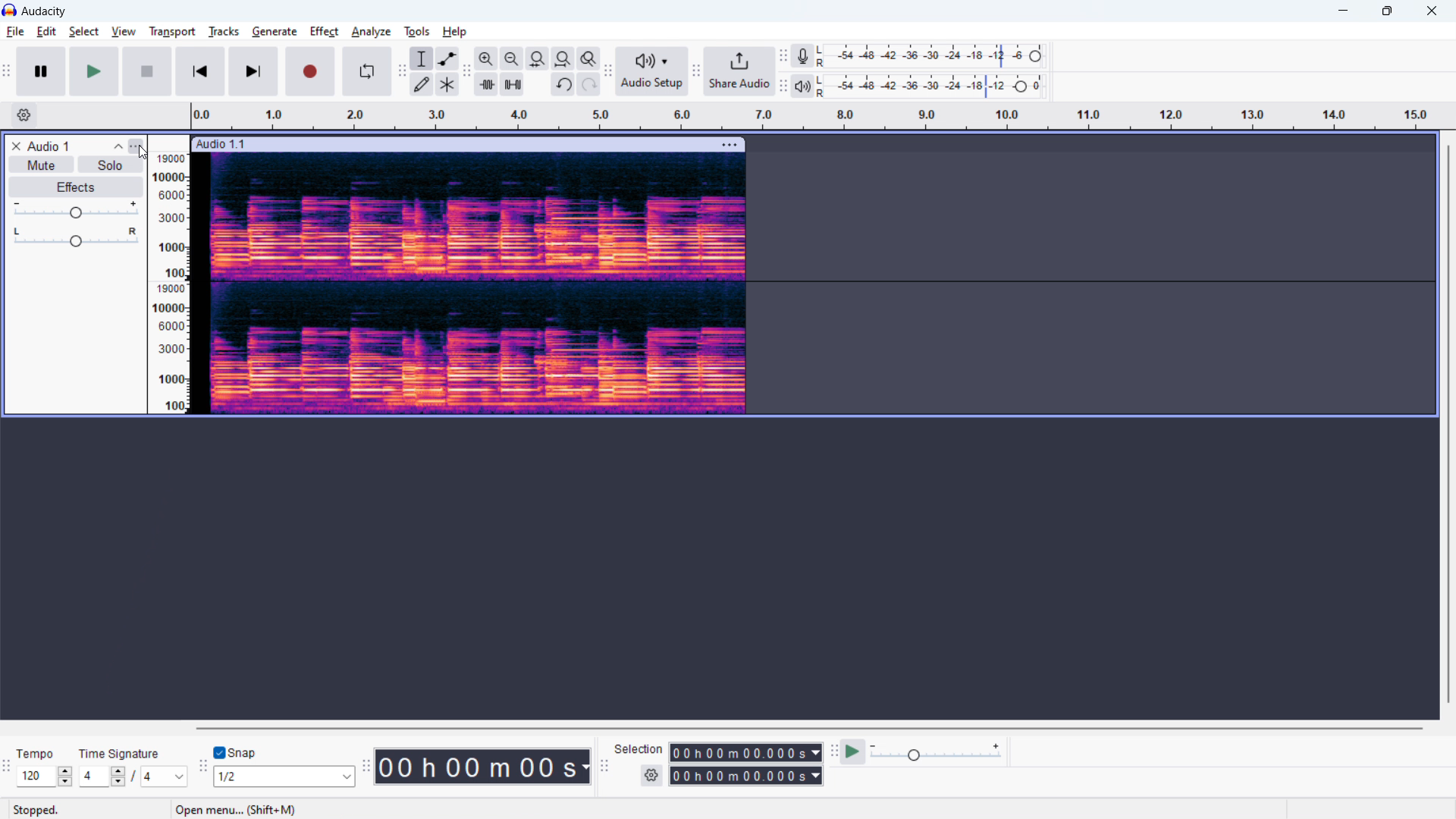 Image resolution: width=1456 pixels, height=819 pixels. I want to click on zoom out, so click(511, 58).